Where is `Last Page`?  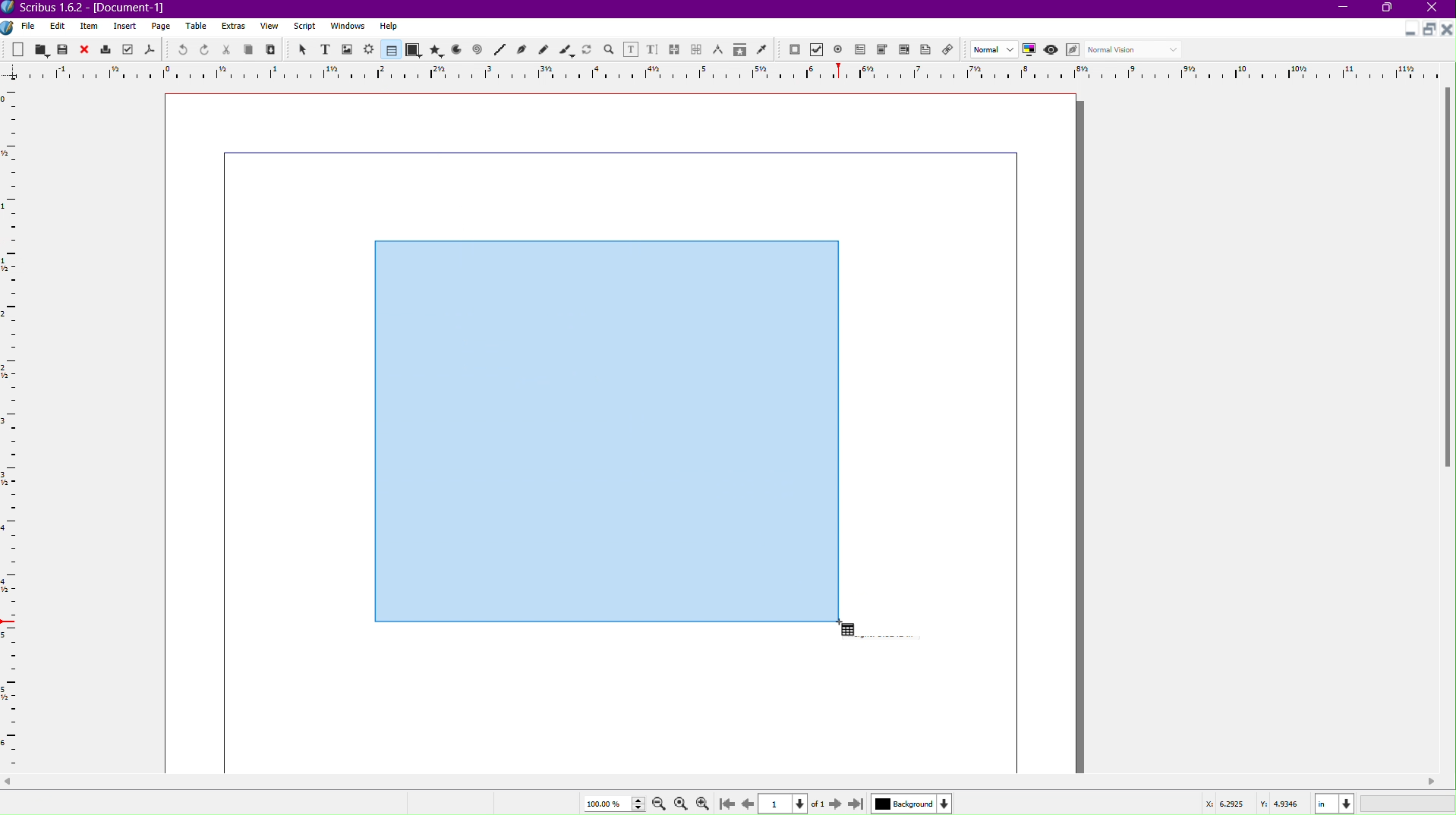 Last Page is located at coordinates (857, 803).